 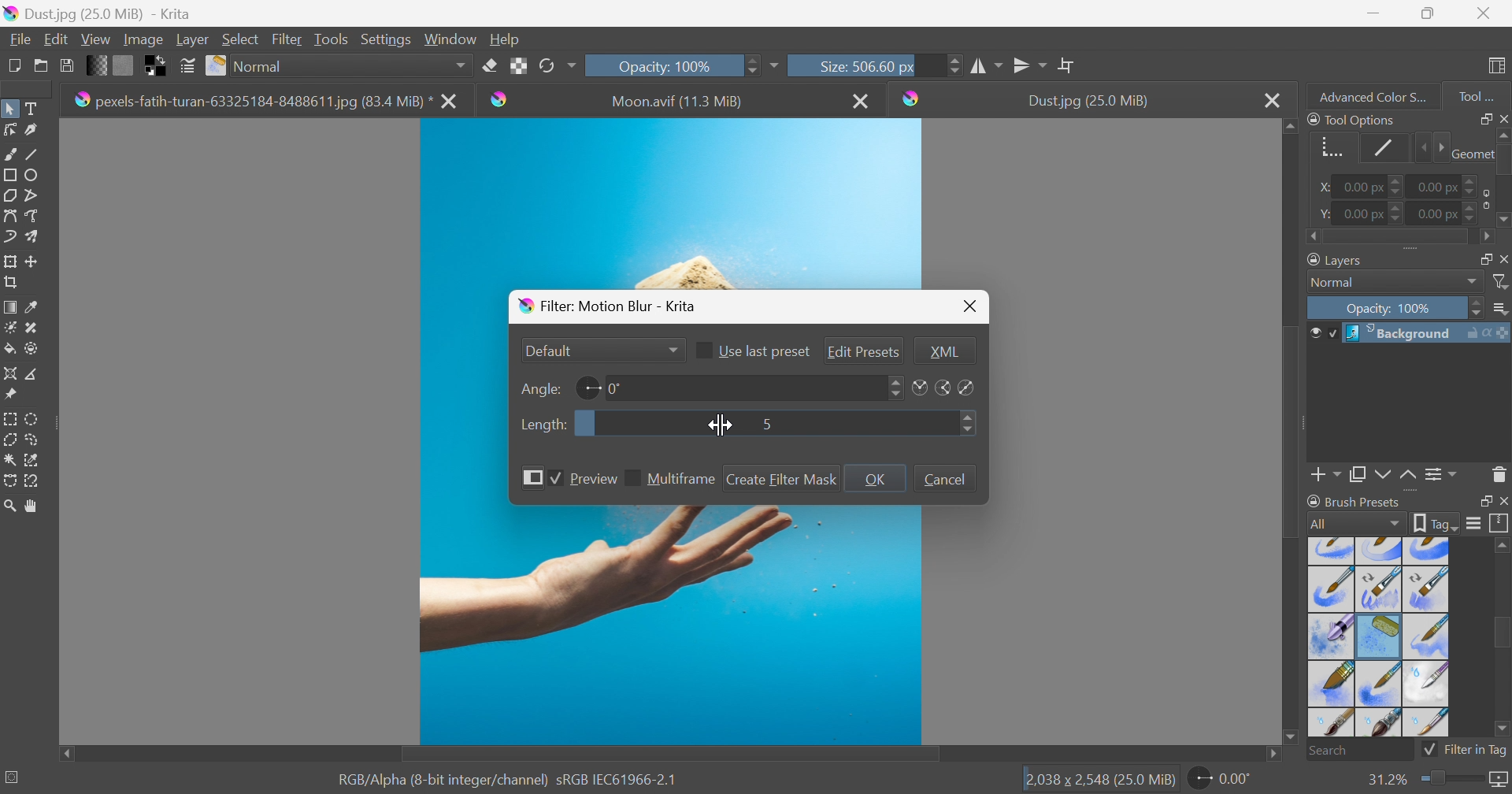 What do you see at coordinates (1472, 216) in the screenshot?
I see `Slider` at bounding box center [1472, 216].